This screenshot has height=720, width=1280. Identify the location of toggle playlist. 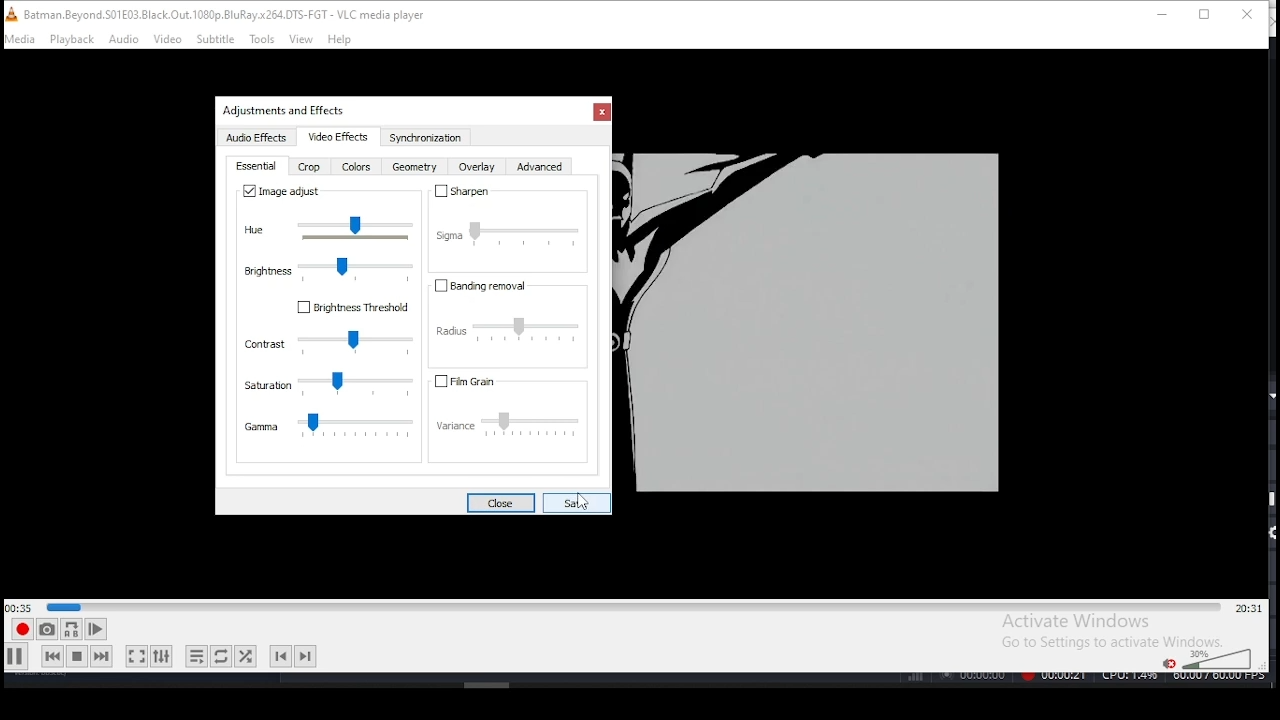
(196, 654).